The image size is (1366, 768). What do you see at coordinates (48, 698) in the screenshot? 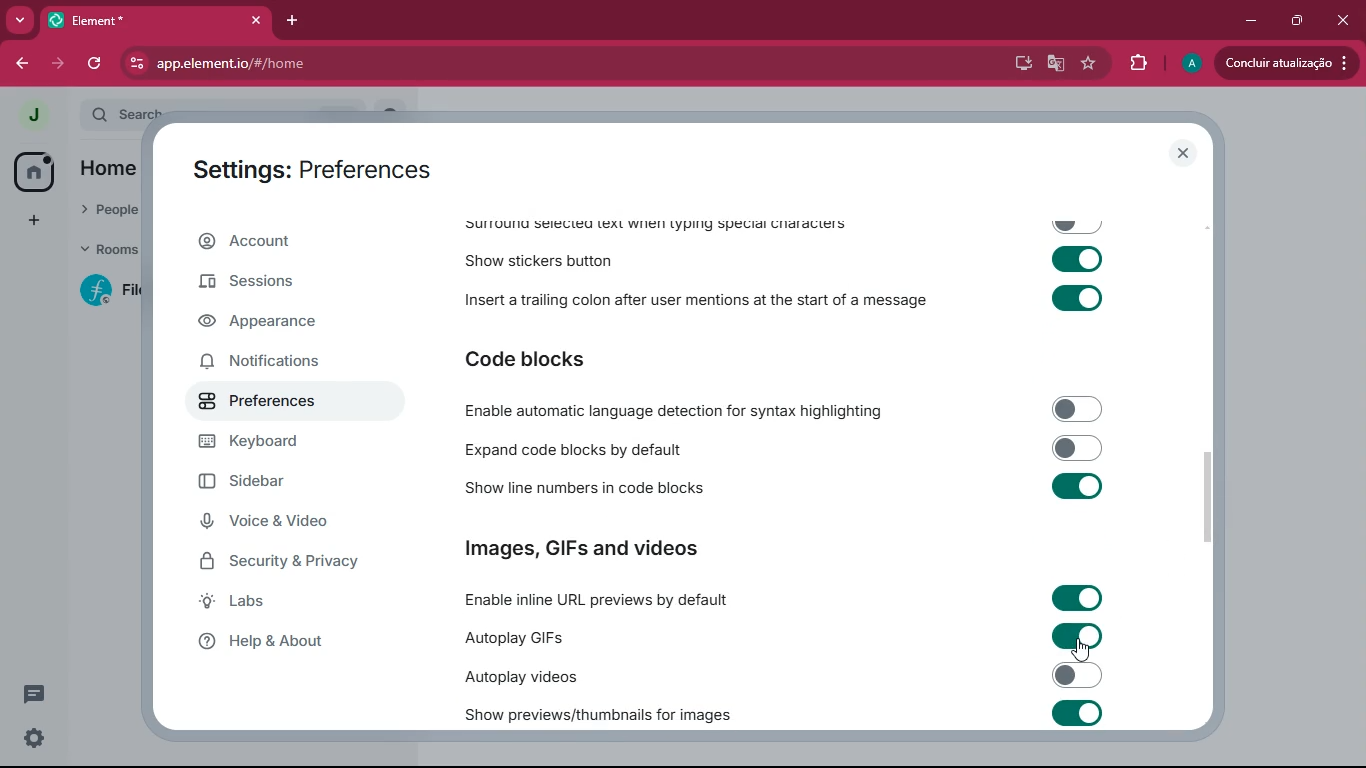
I see `comments ` at bounding box center [48, 698].